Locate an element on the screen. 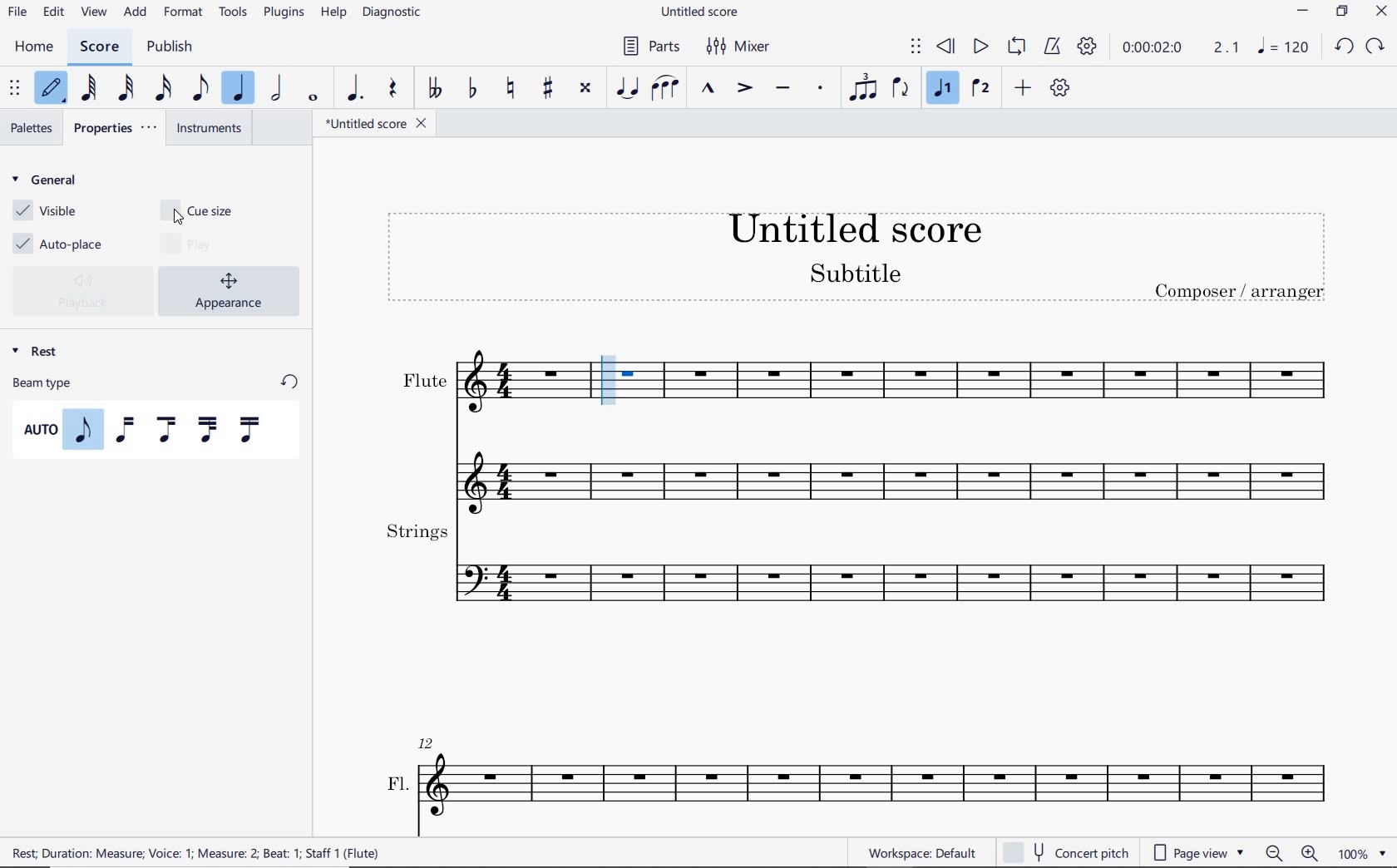 The height and width of the screenshot is (868, 1397). GENERAL is located at coordinates (49, 181).